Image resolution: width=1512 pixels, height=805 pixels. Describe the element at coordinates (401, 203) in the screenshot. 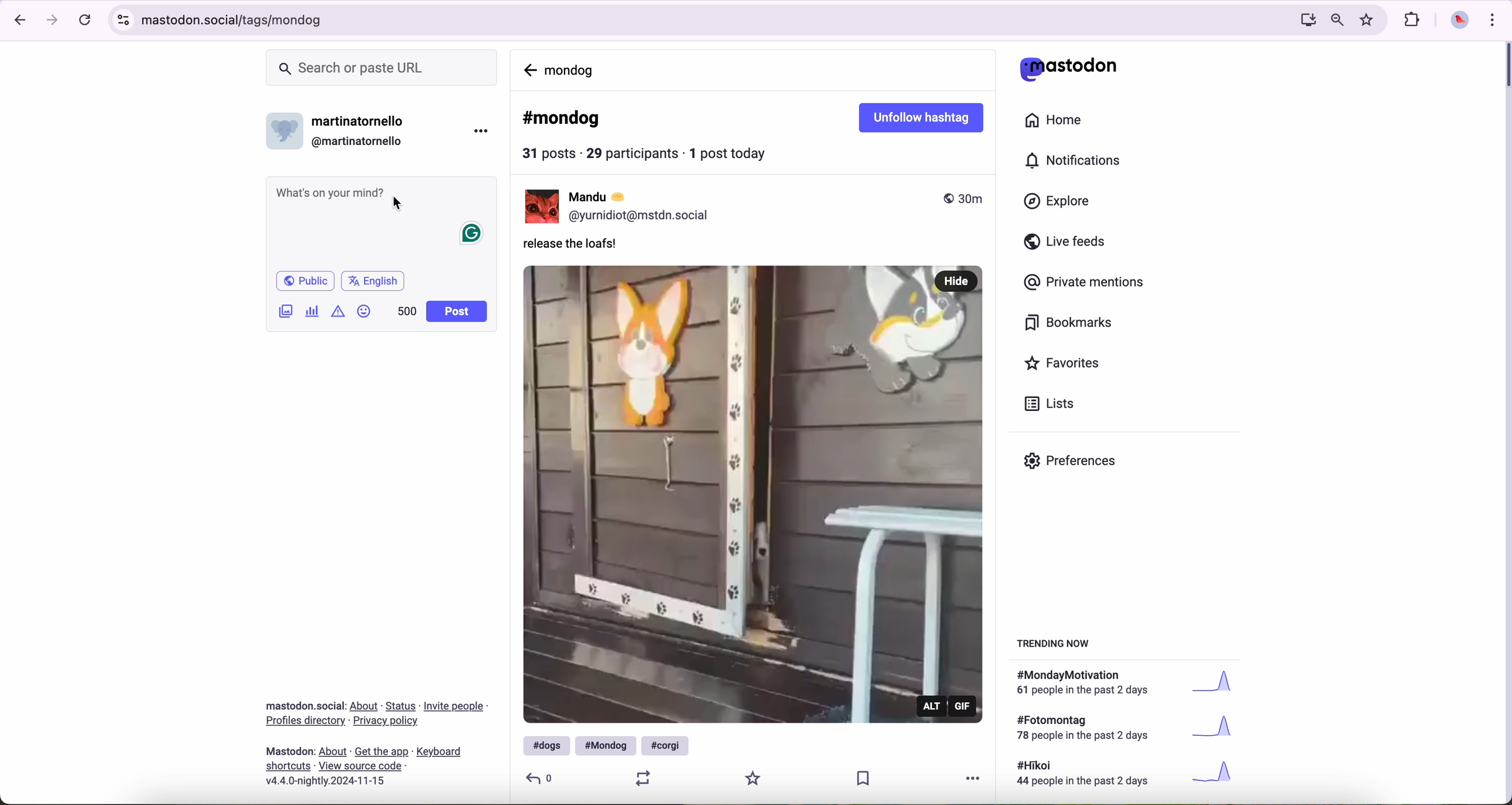

I see `cursor on post message` at that location.